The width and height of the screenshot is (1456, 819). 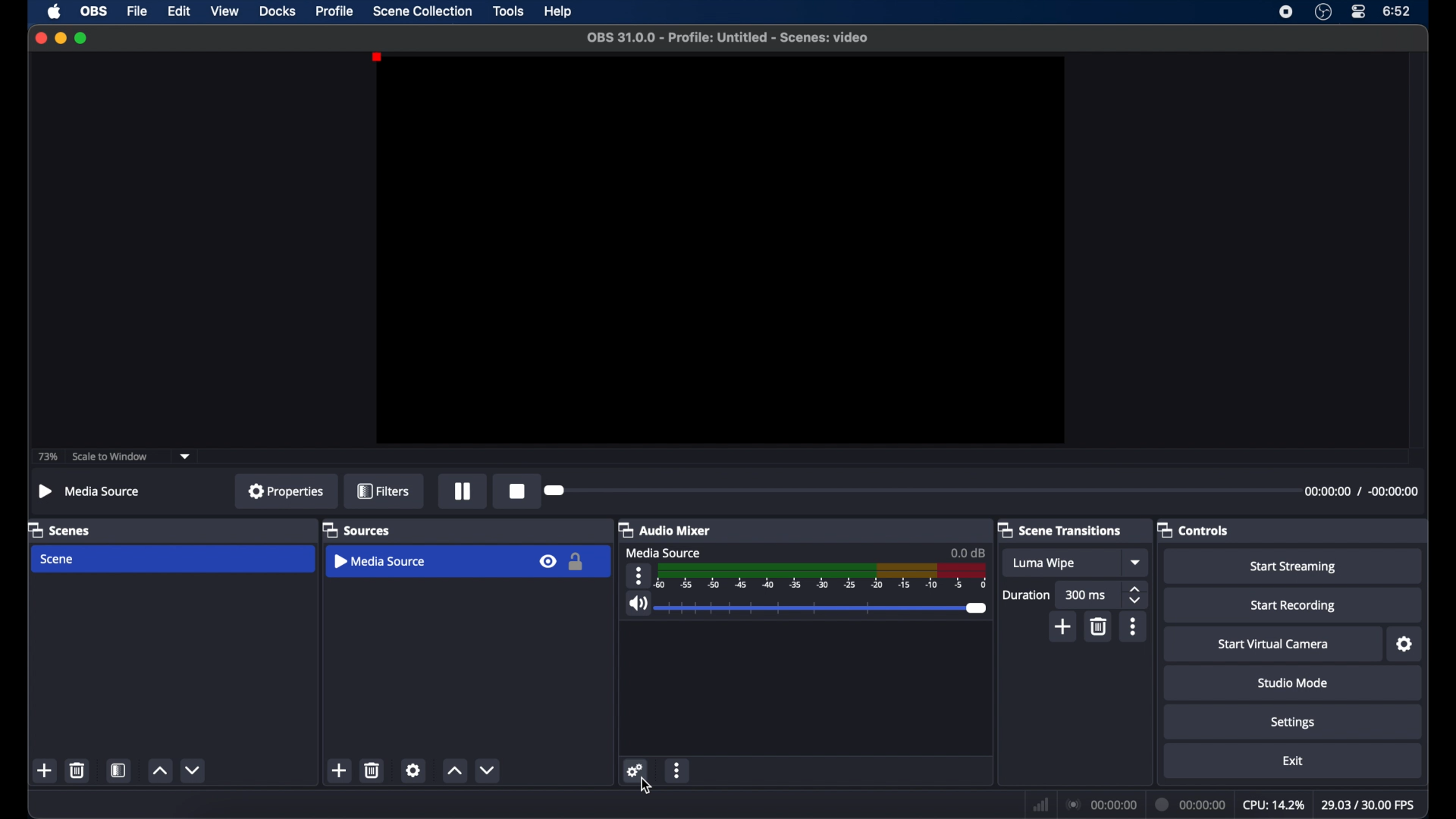 I want to click on network, so click(x=1040, y=805).